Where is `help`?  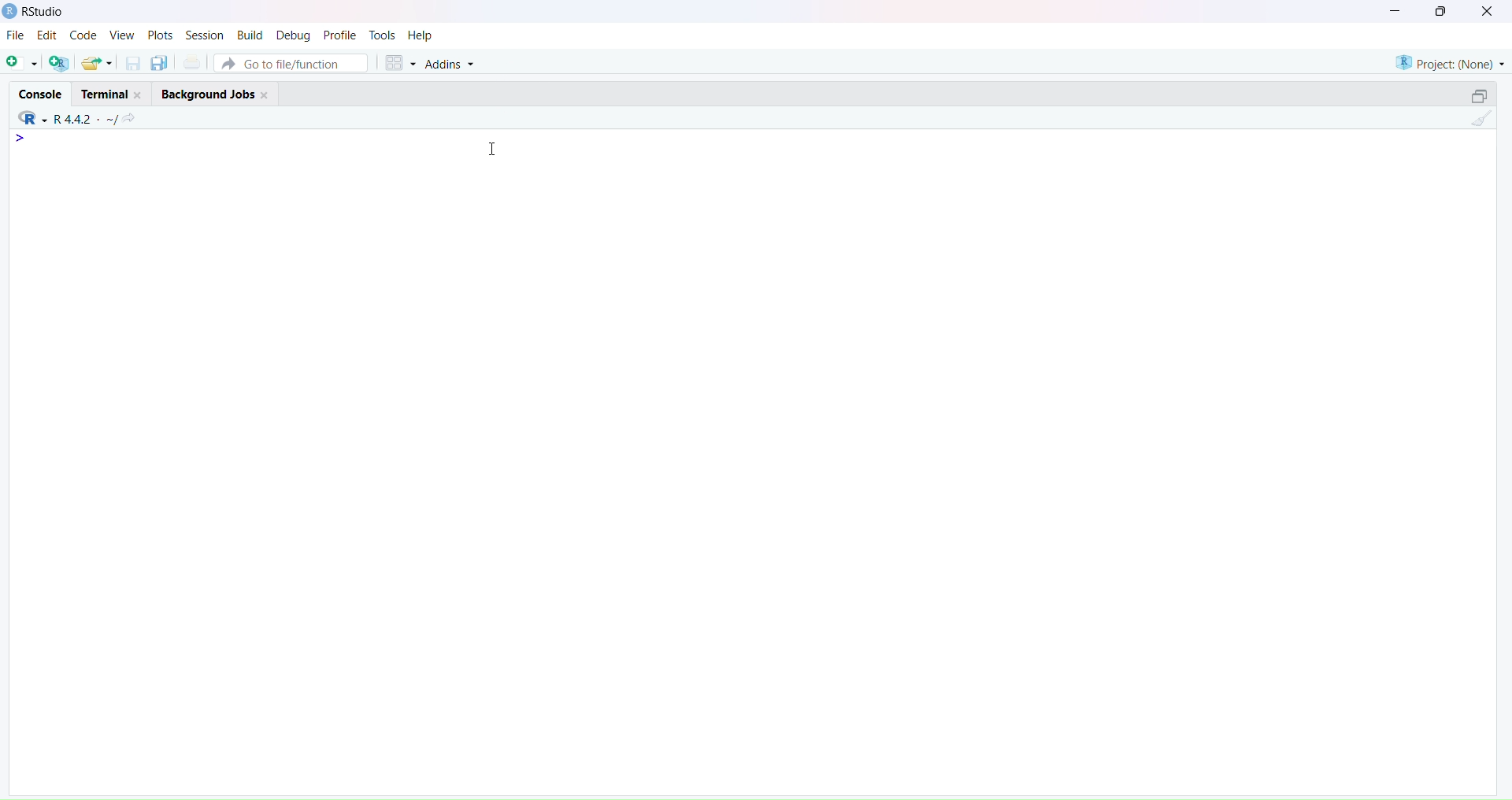 help is located at coordinates (421, 37).